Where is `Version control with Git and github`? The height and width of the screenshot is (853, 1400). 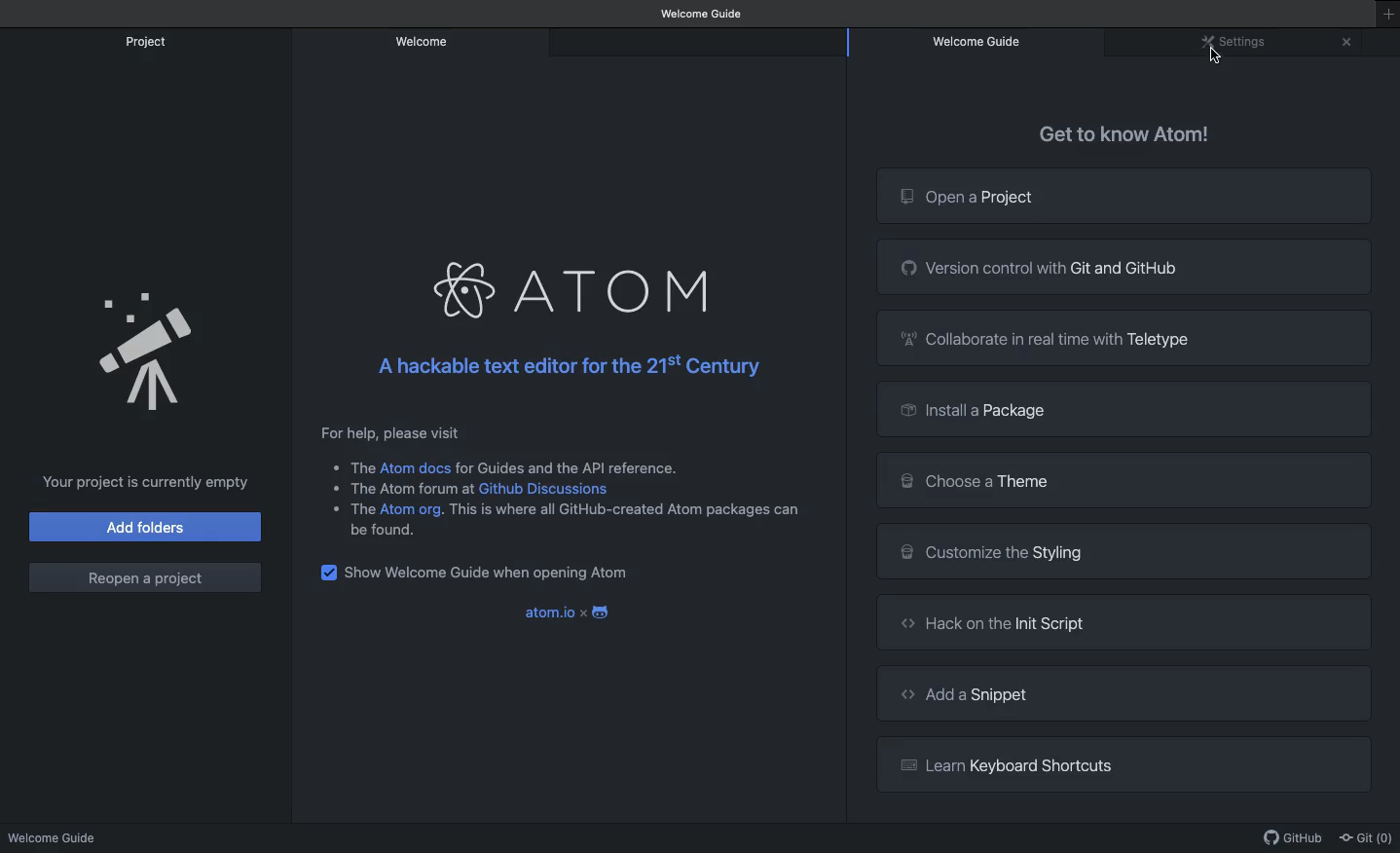
Version control with Git and github is located at coordinates (1127, 267).